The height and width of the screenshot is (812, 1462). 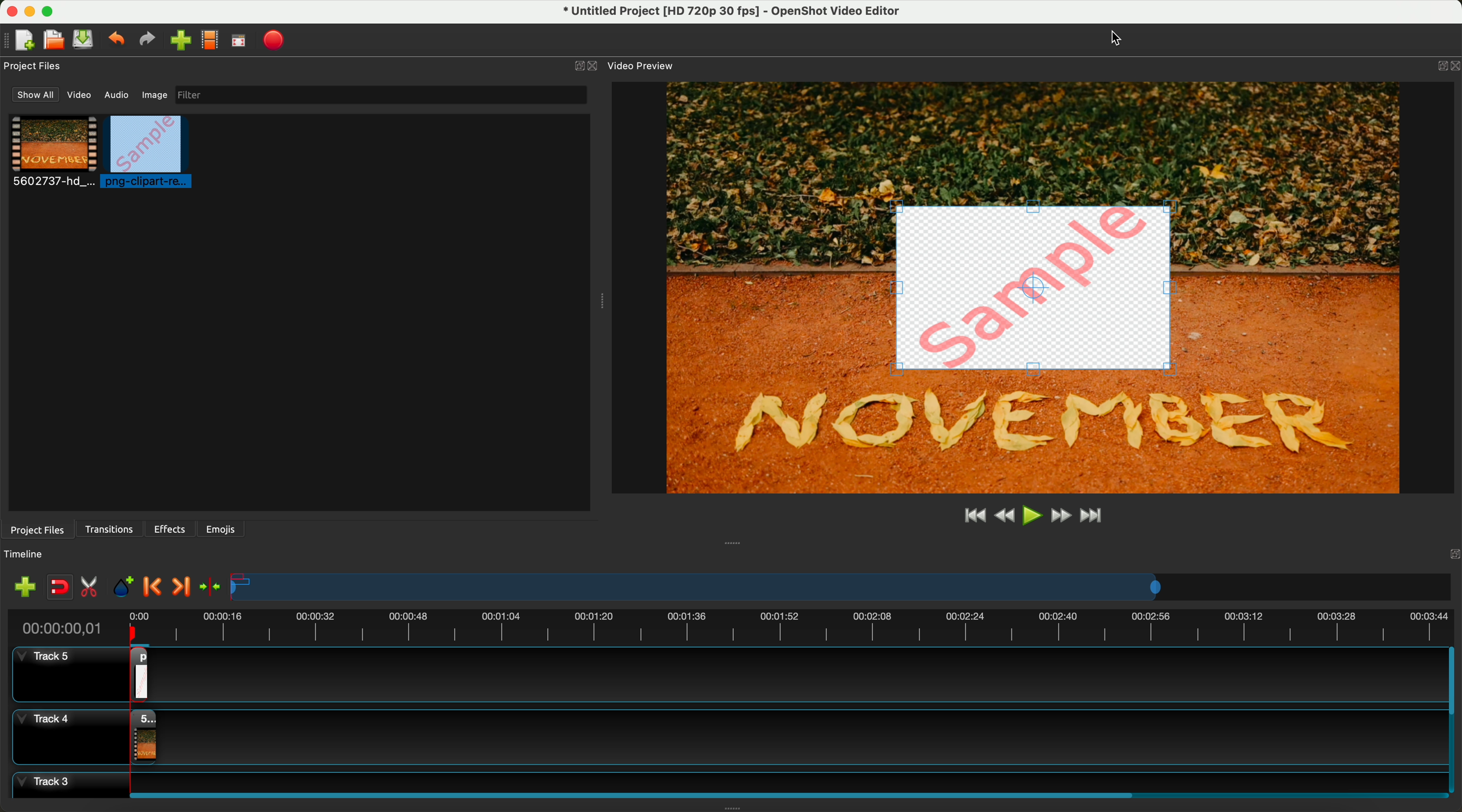 I want to click on , so click(x=1451, y=553).